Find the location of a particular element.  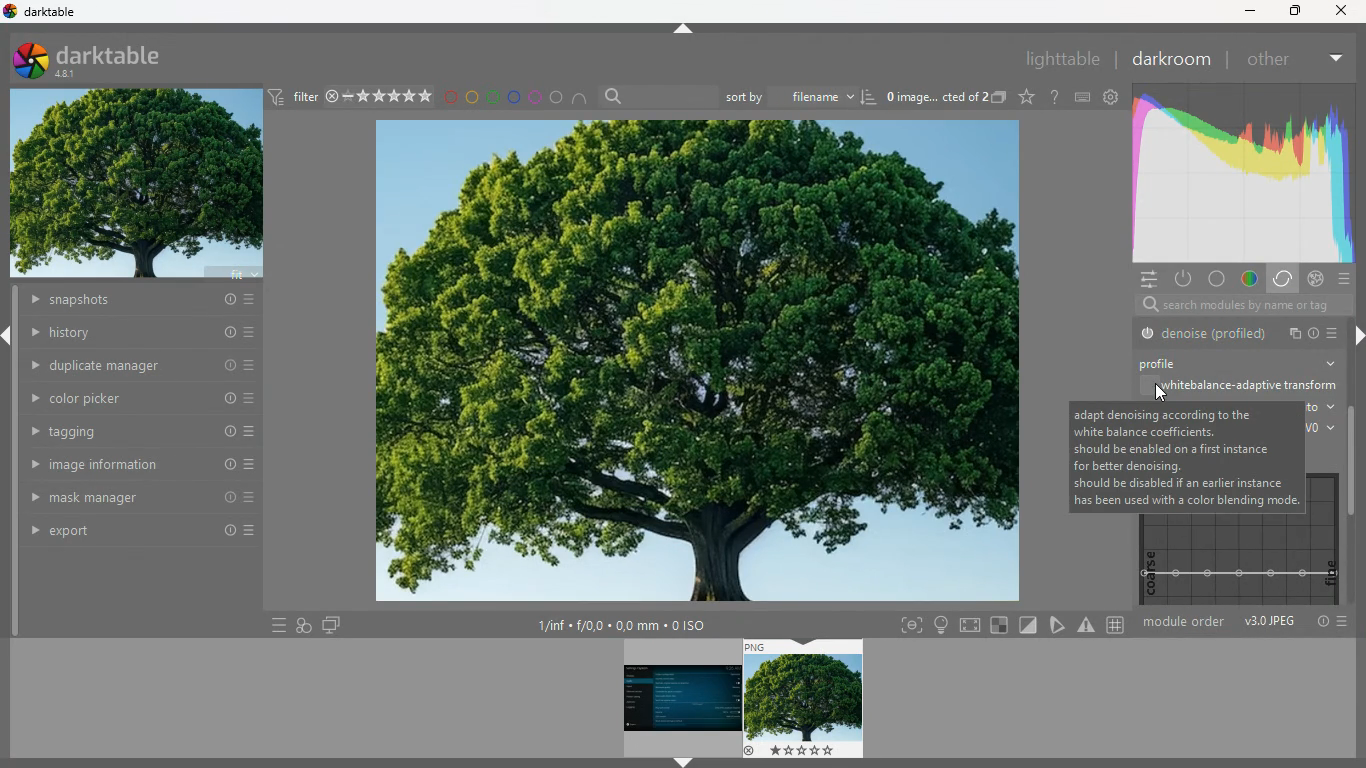

darkroom is located at coordinates (1170, 59).